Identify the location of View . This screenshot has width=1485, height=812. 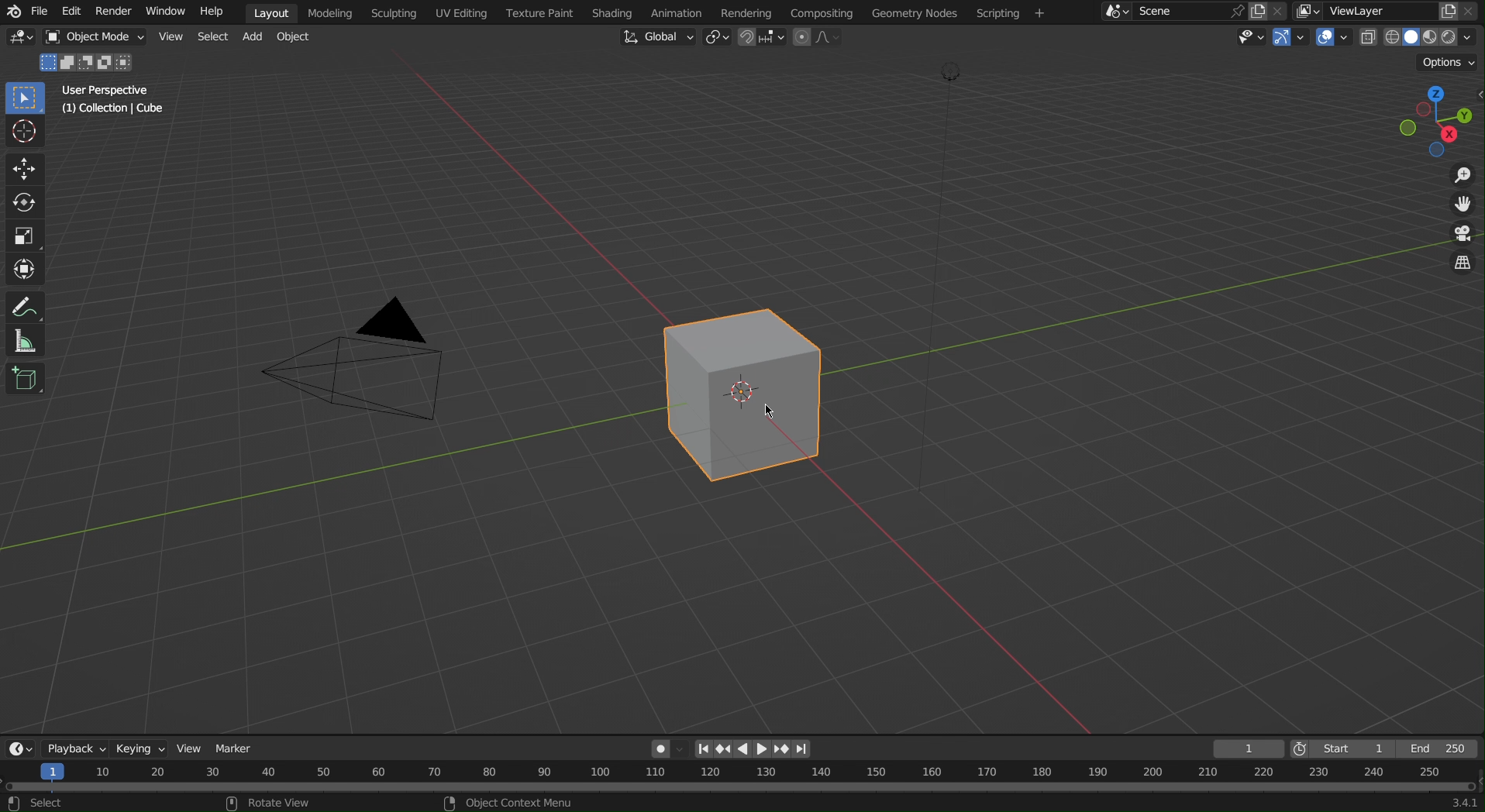
(169, 36).